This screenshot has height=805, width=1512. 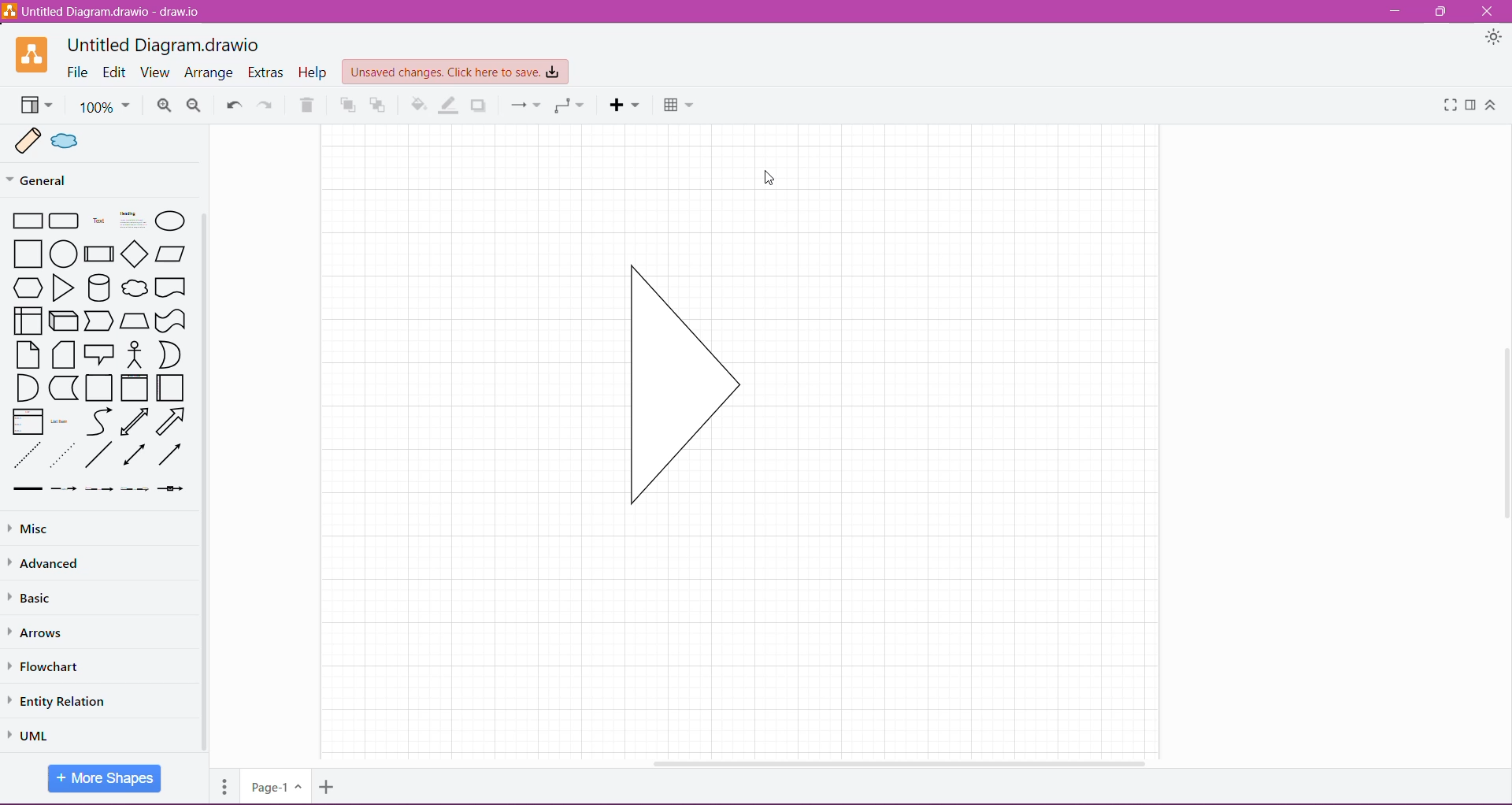 What do you see at coordinates (346, 106) in the screenshot?
I see `To Front` at bounding box center [346, 106].